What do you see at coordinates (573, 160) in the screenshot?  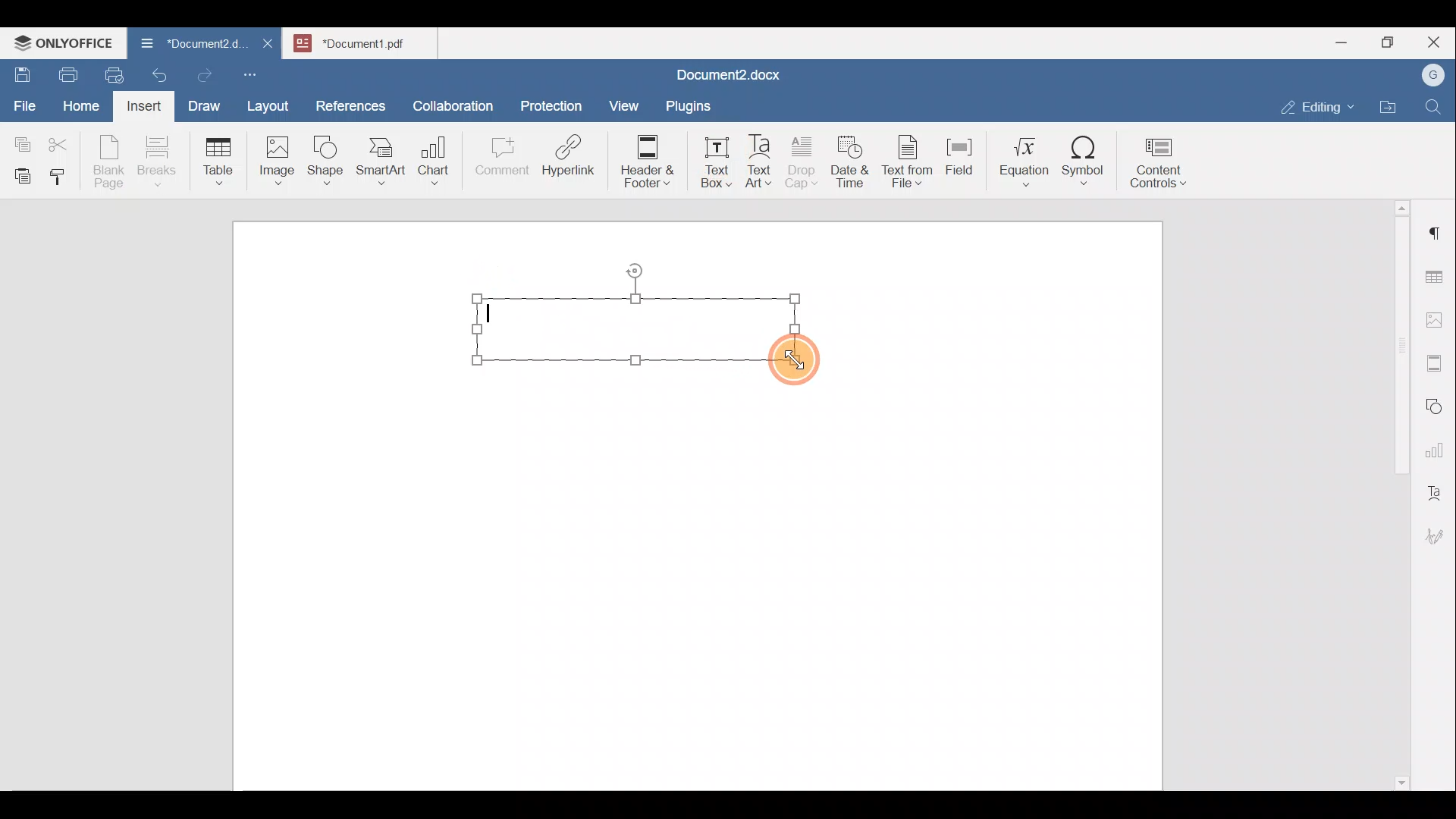 I see `Hyperlink` at bounding box center [573, 160].